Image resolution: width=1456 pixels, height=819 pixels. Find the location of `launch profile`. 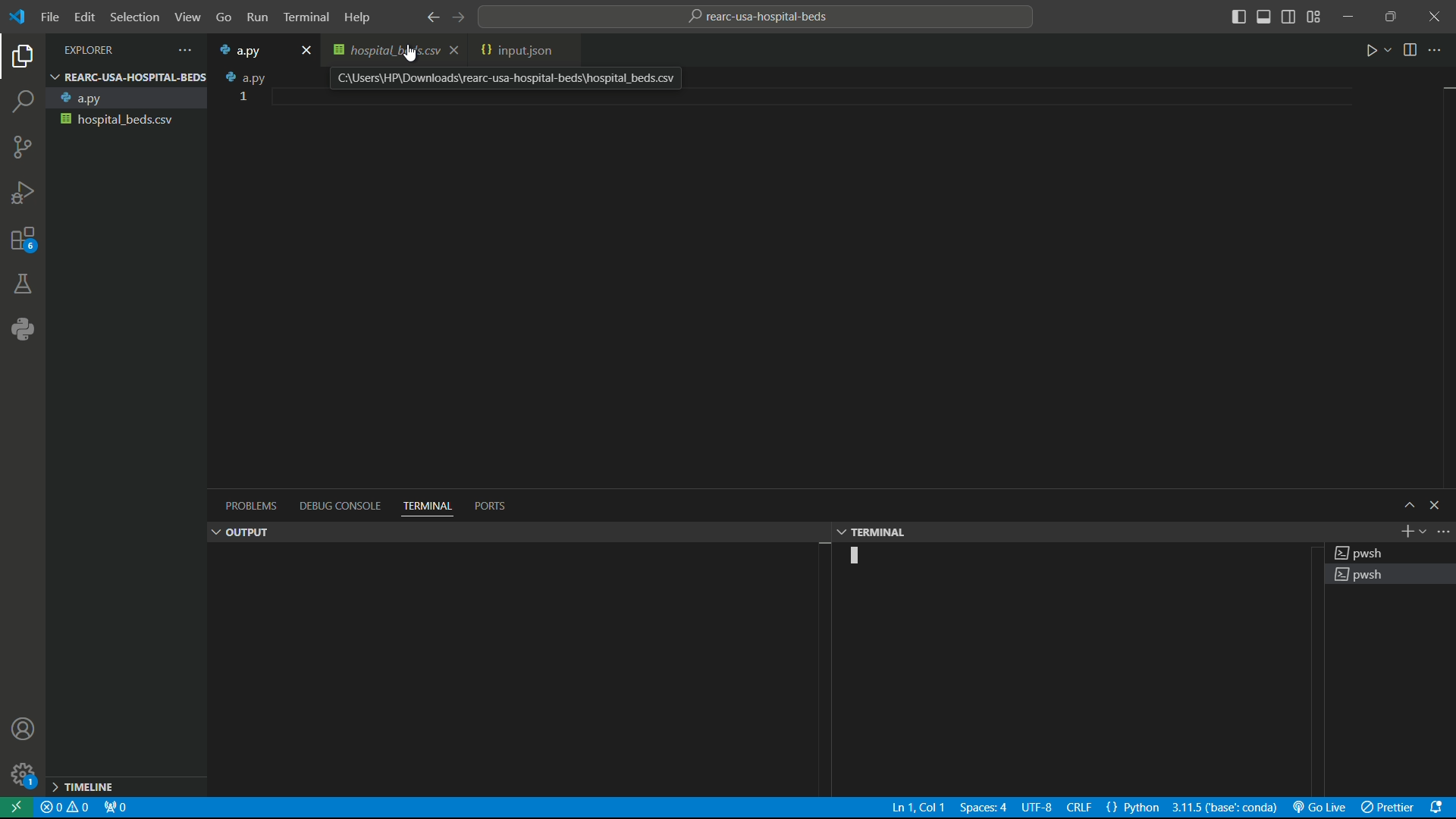

launch profile is located at coordinates (1423, 532).